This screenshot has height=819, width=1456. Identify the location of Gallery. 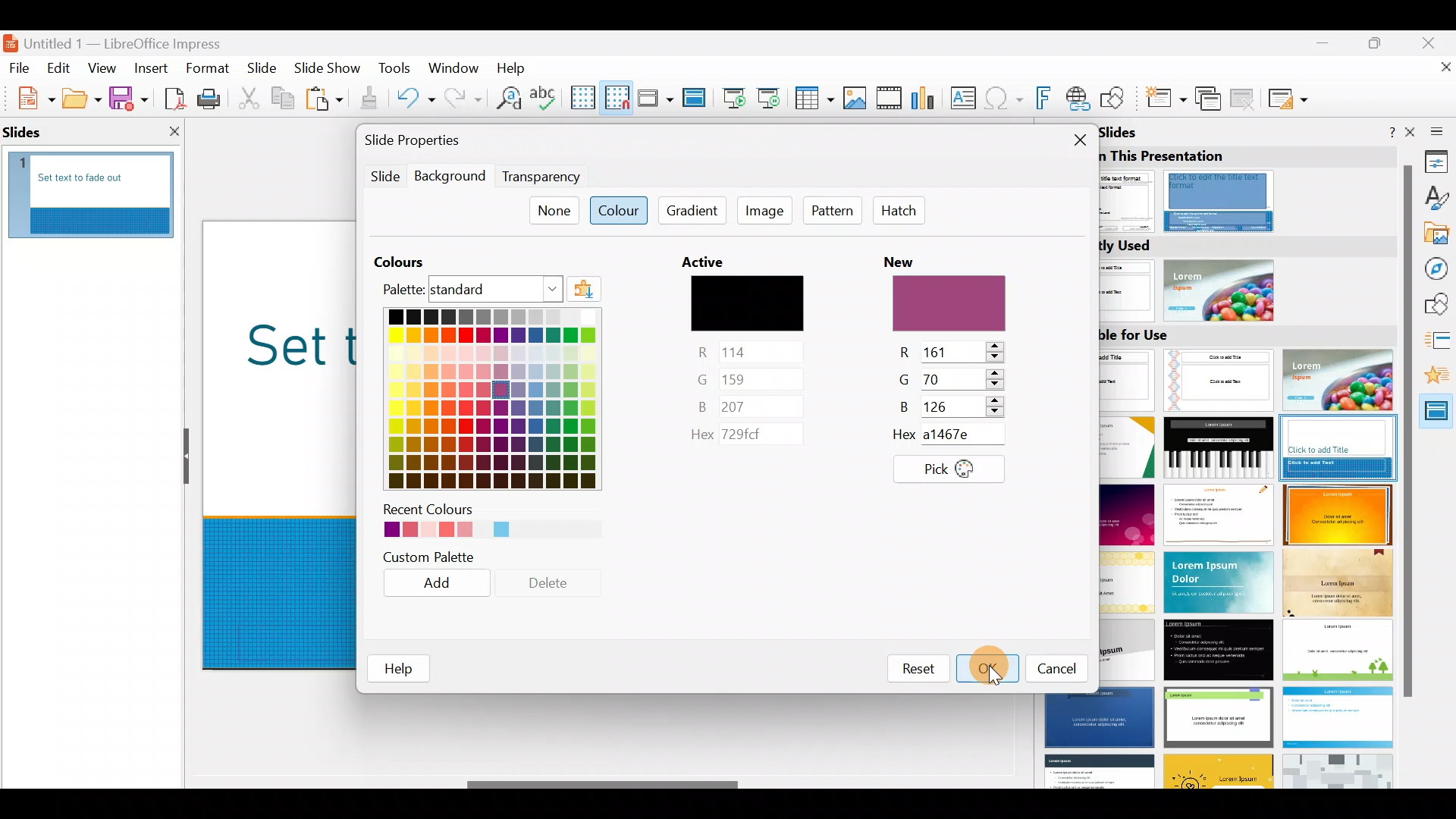
(1438, 236).